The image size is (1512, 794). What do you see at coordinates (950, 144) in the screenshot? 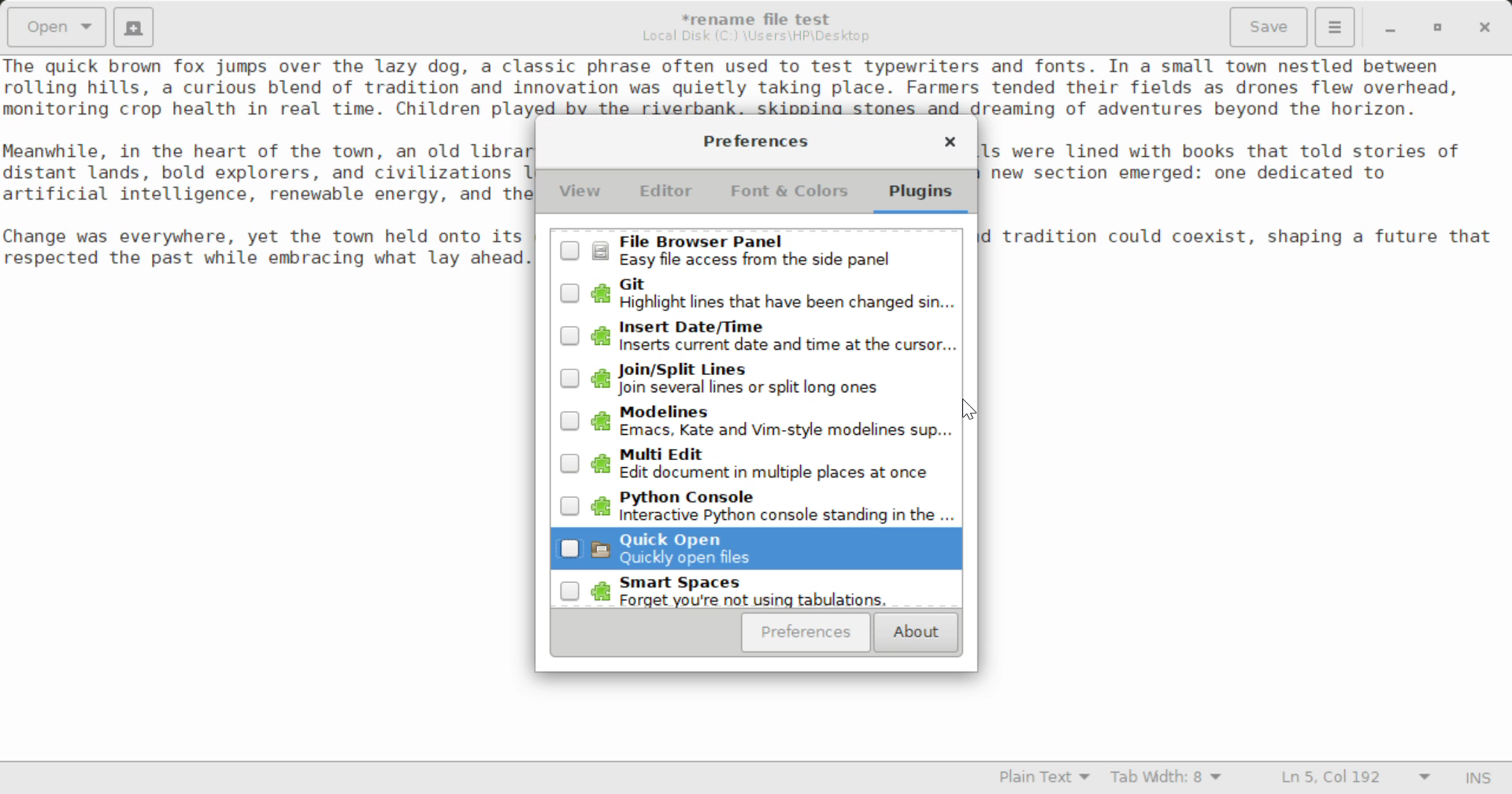
I see `Close Window` at bounding box center [950, 144].